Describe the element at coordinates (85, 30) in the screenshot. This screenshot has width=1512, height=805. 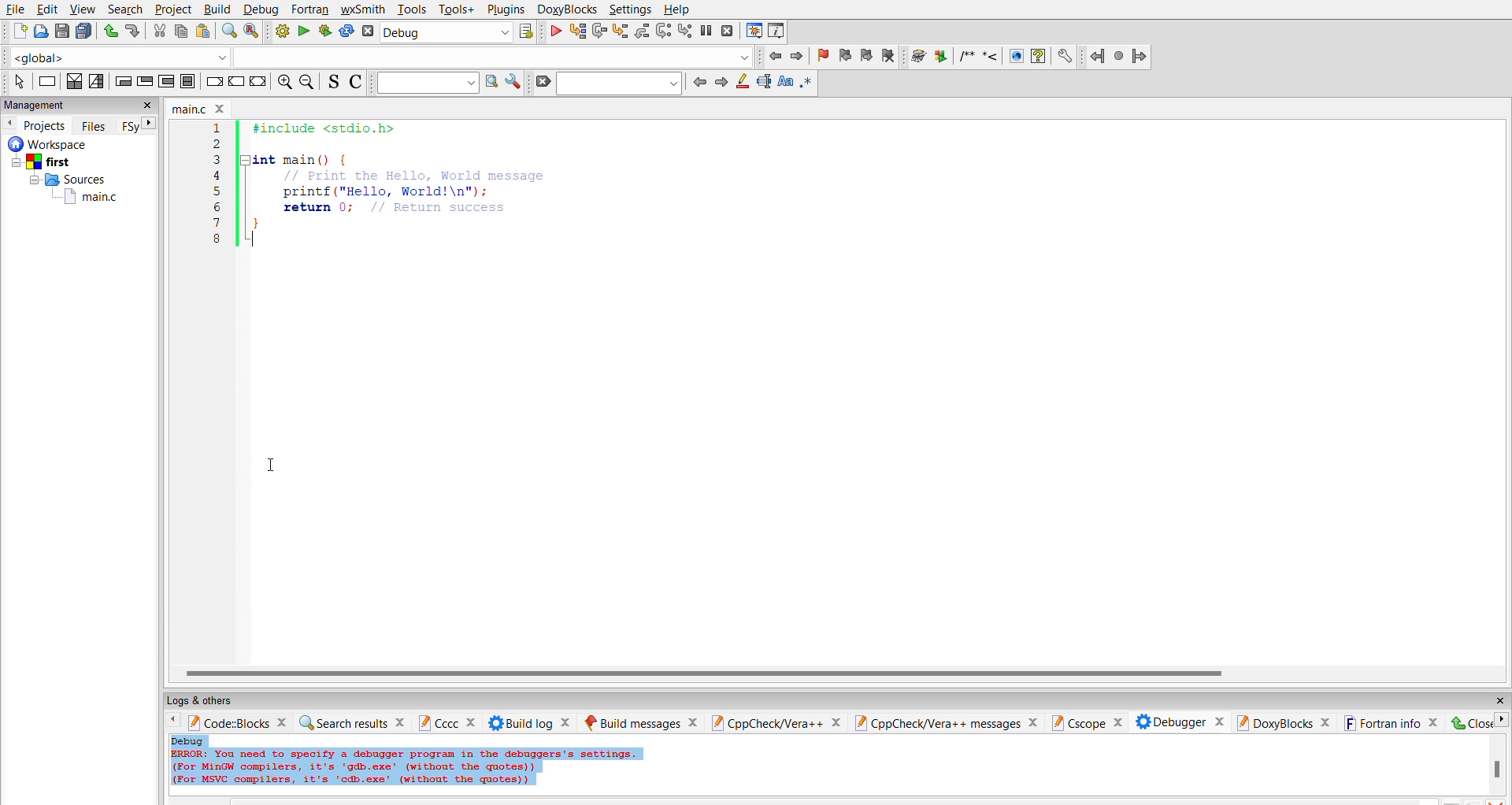
I see `save all` at that location.